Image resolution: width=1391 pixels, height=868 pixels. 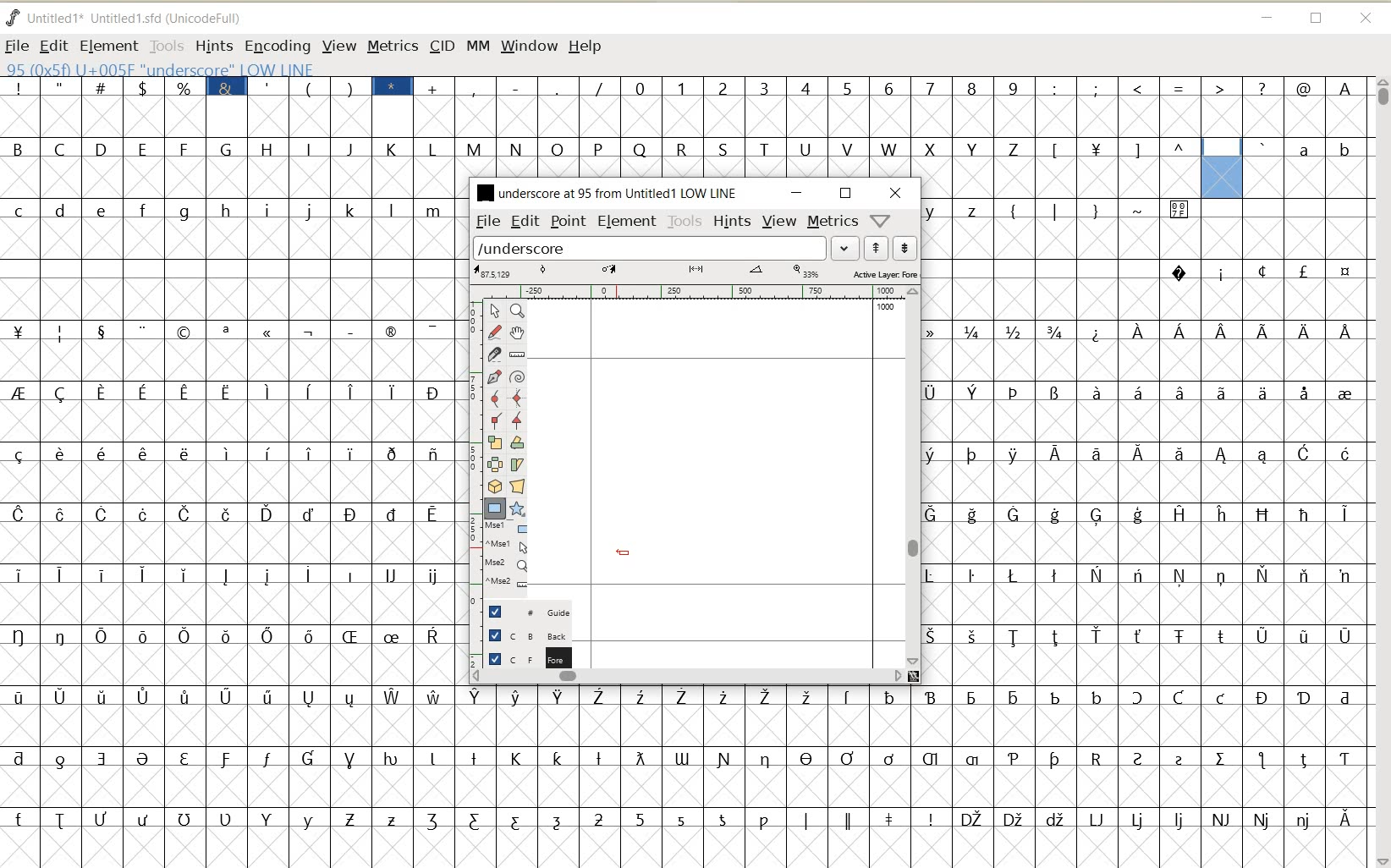 I want to click on HINTS, so click(x=732, y=221).